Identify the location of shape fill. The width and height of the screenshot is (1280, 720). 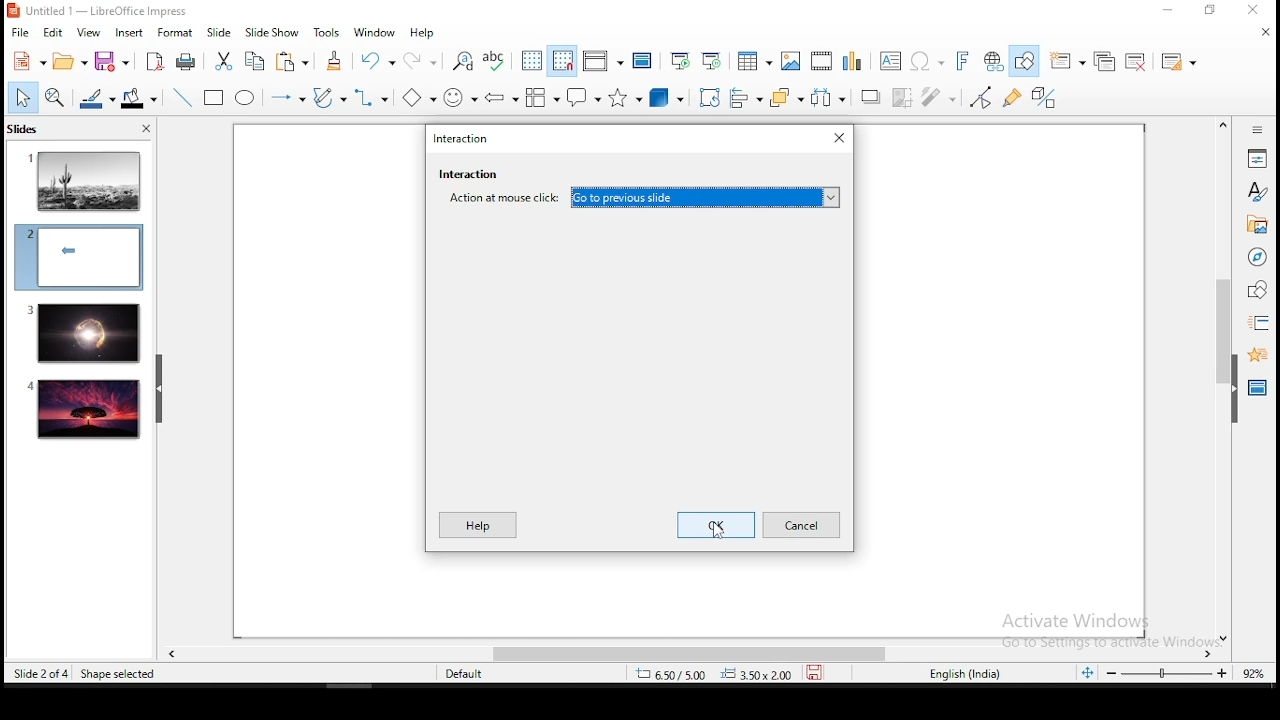
(138, 100).